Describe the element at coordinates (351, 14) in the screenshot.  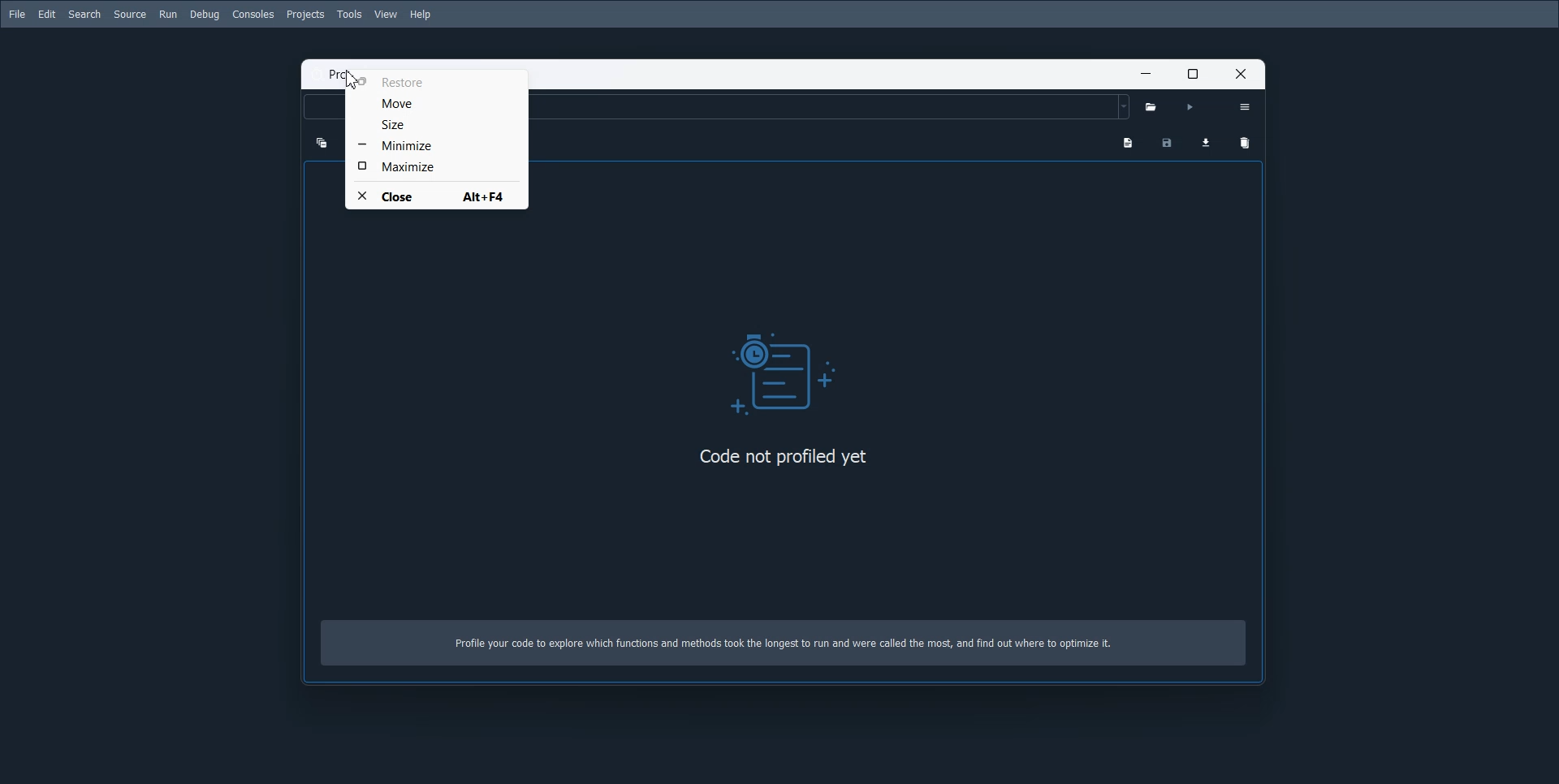
I see `Tools` at that location.